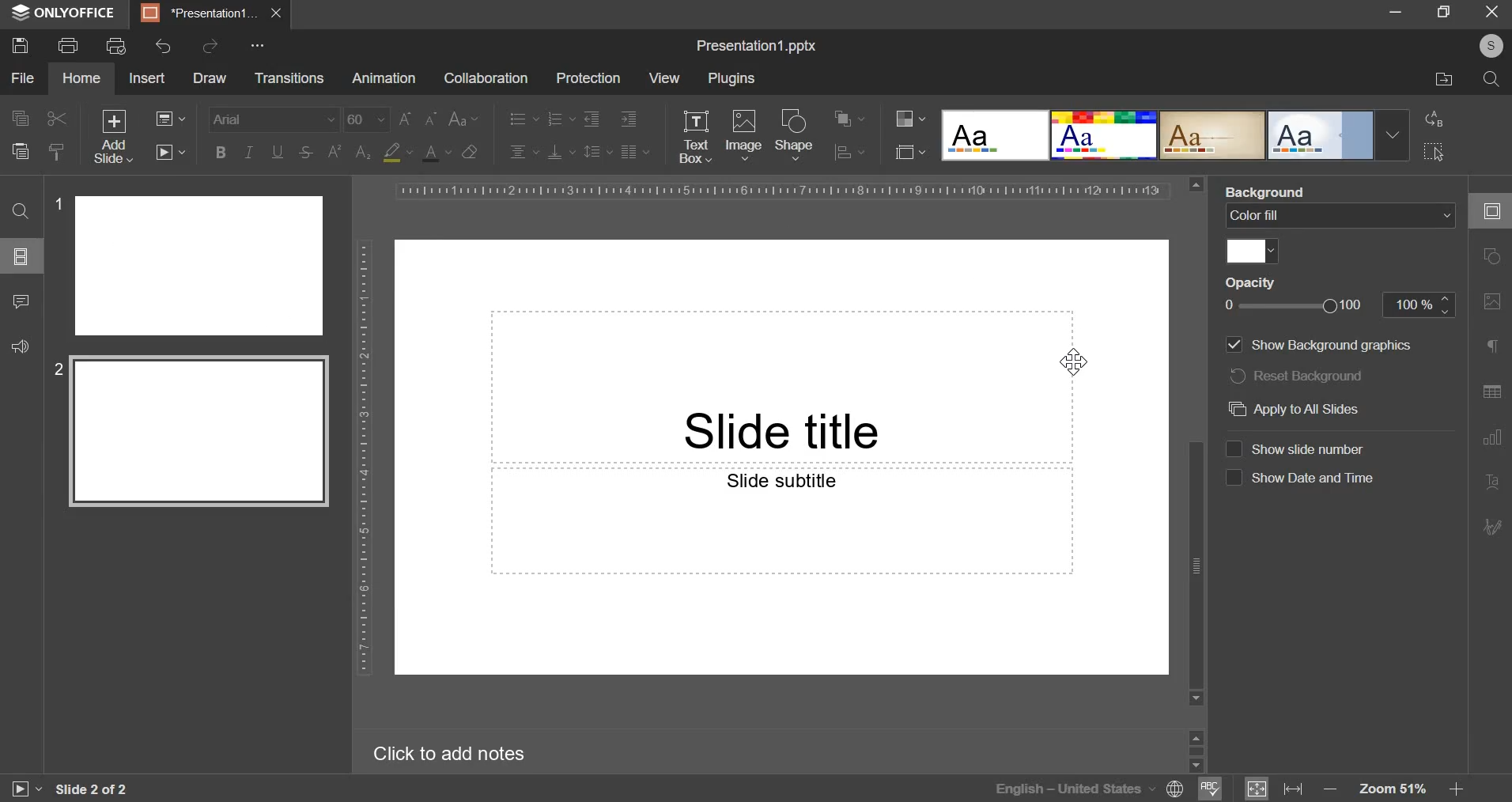 The height and width of the screenshot is (802, 1512). I want to click on copy, so click(20, 119).